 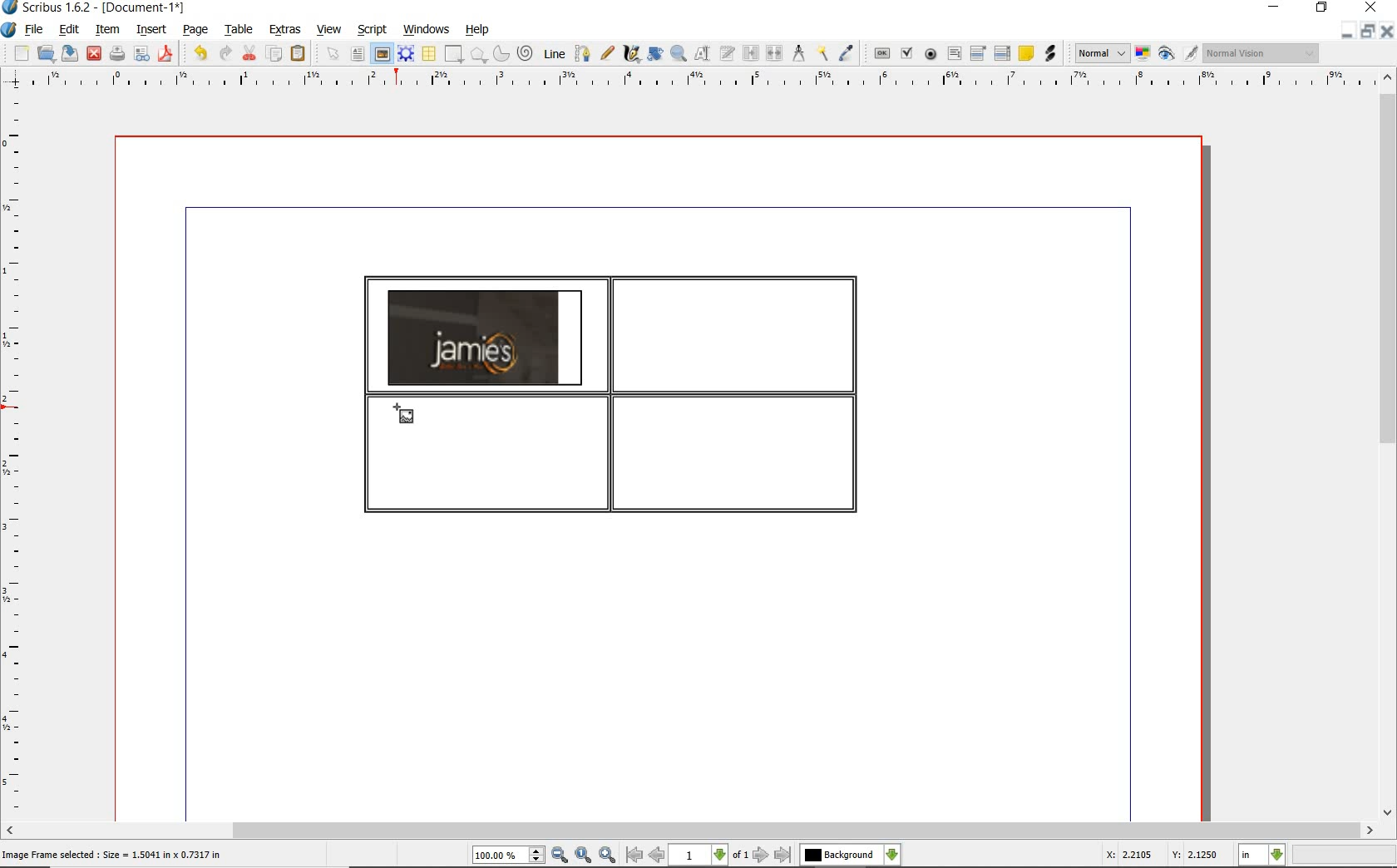 What do you see at coordinates (752, 53) in the screenshot?
I see `link text frames` at bounding box center [752, 53].